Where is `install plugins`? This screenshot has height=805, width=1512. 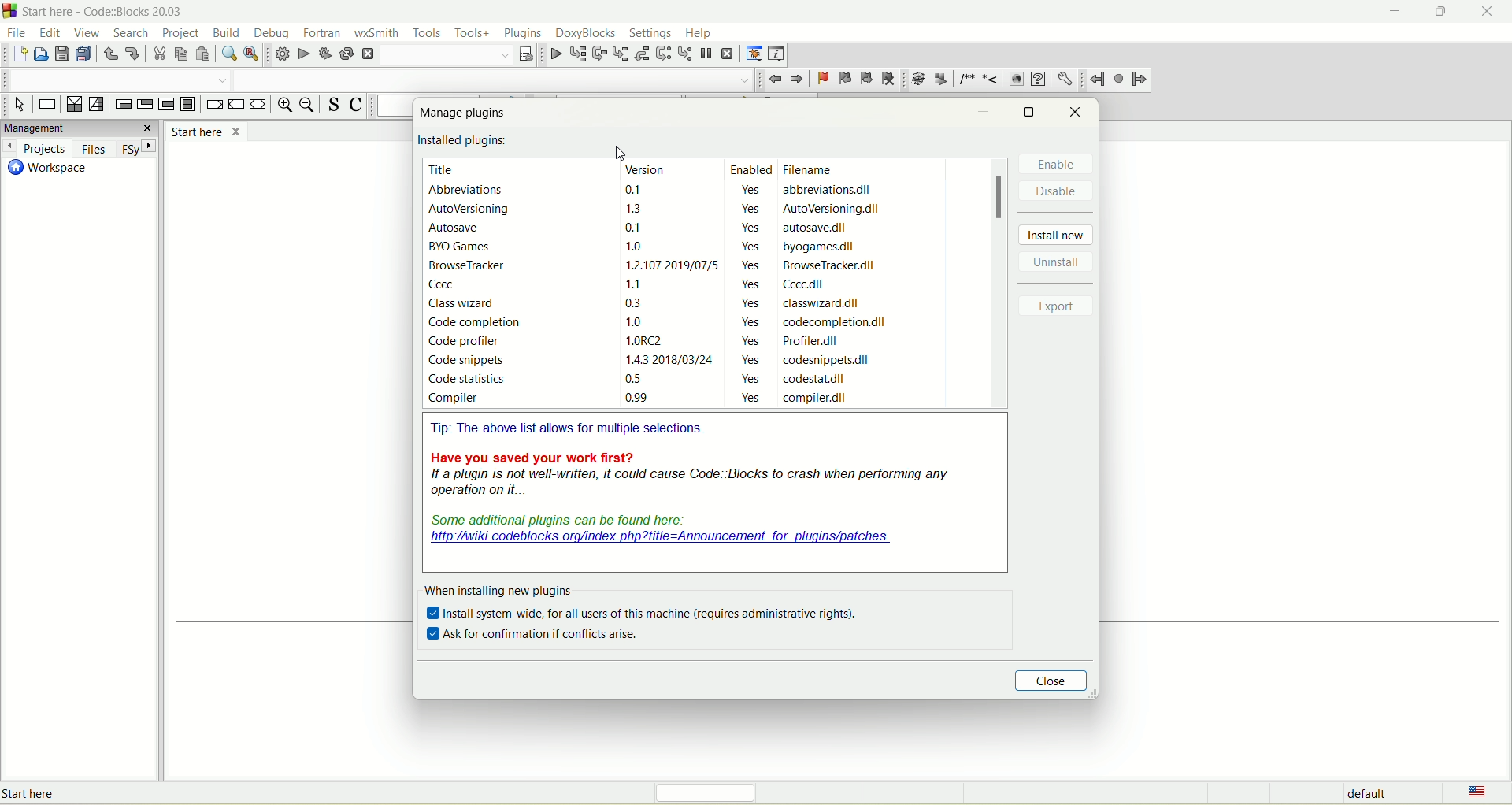
install plugins is located at coordinates (465, 142).